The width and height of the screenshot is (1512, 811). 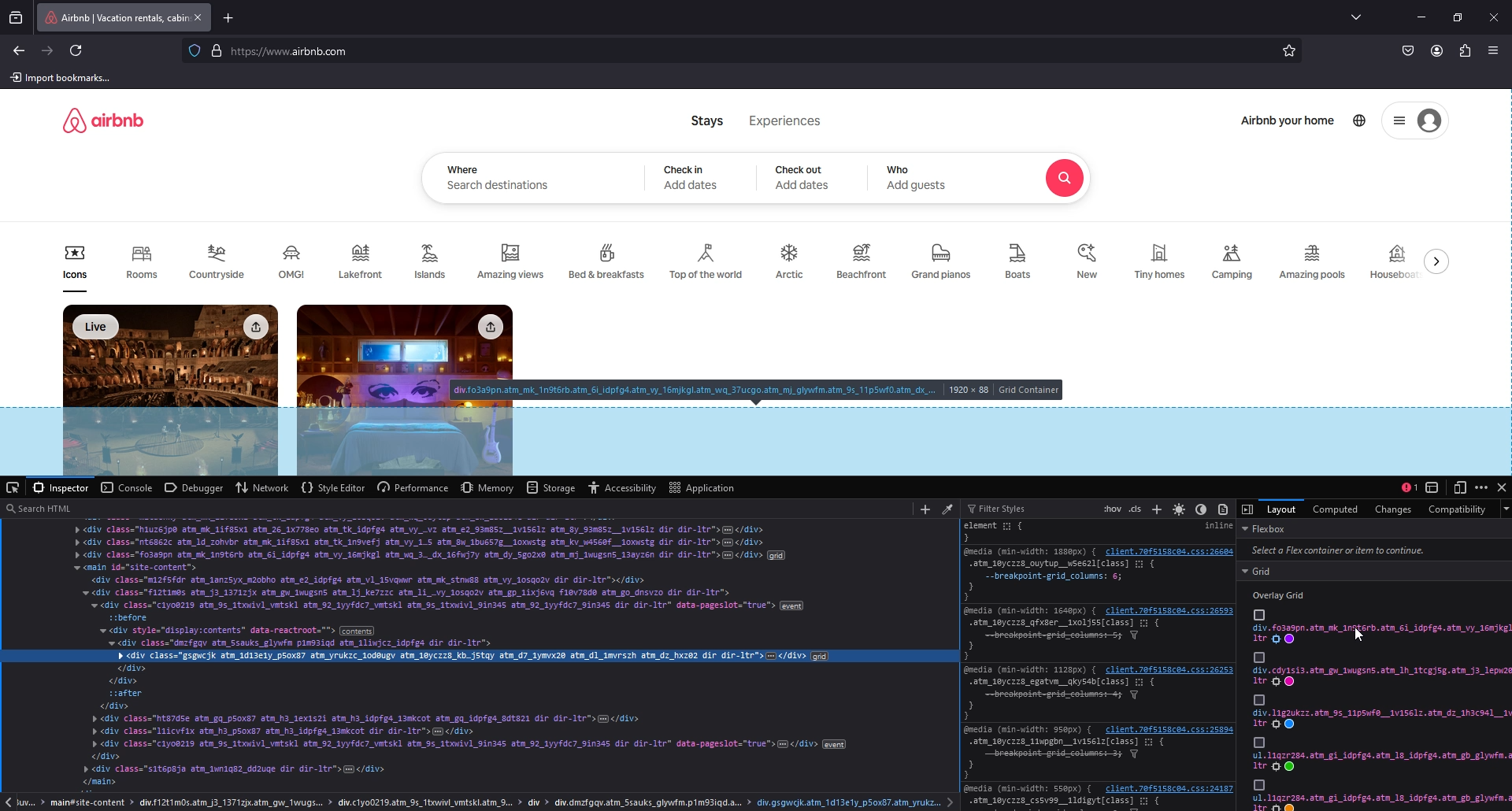 I want to click on code, so click(x=480, y=657).